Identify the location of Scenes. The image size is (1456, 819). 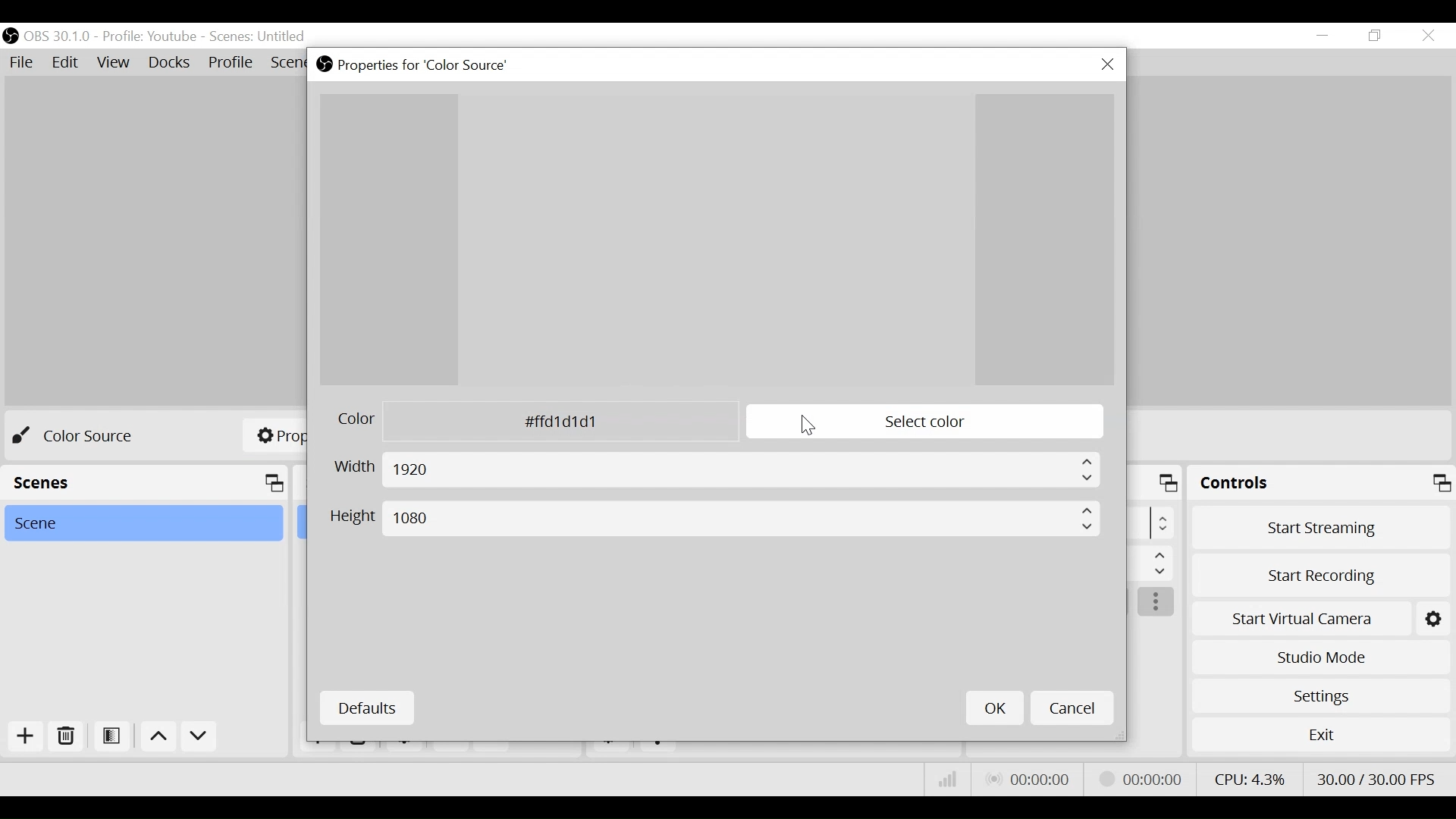
(144, 483).